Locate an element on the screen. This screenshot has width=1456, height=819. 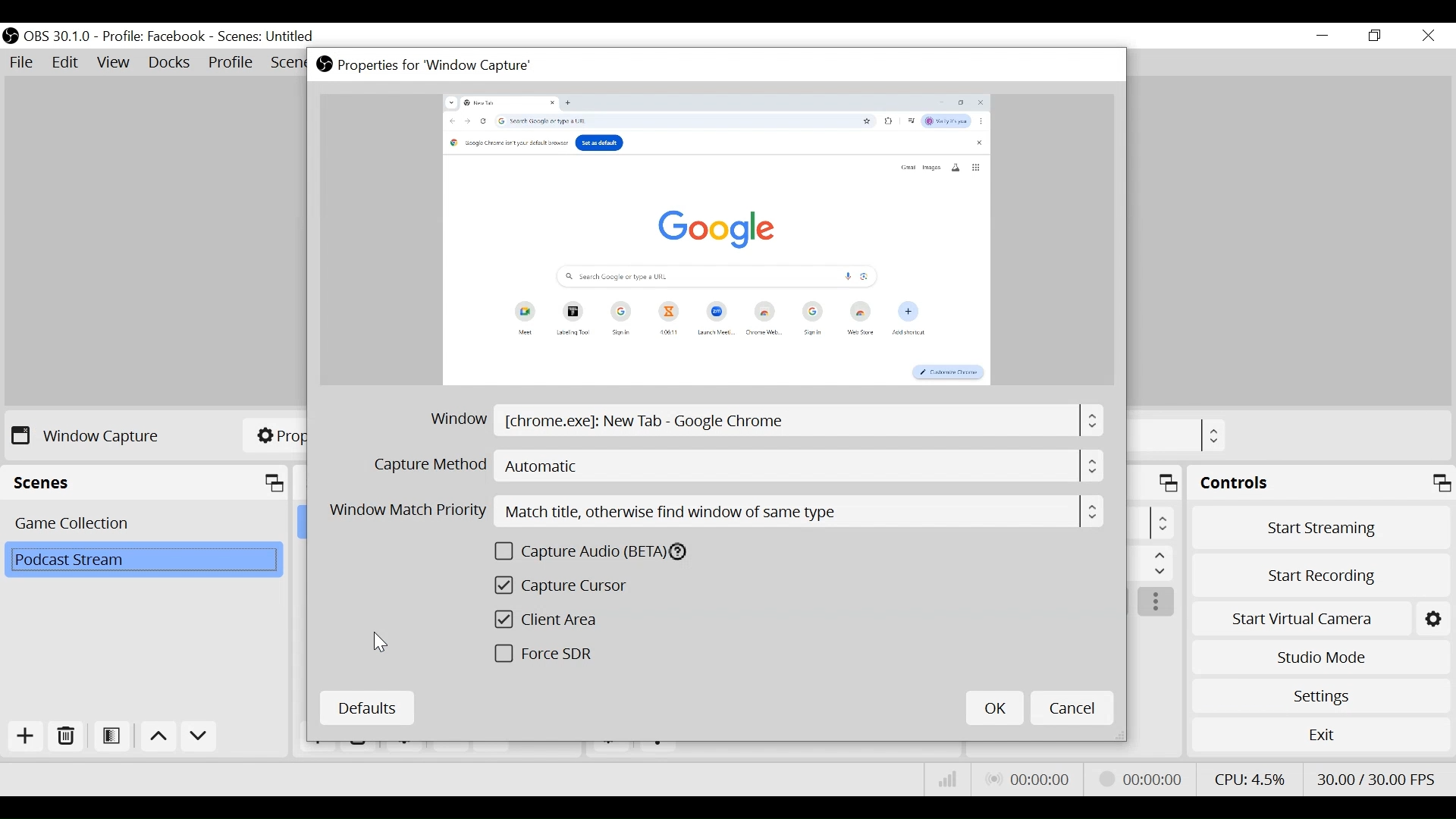
OK is located at coordinates (993, 708).